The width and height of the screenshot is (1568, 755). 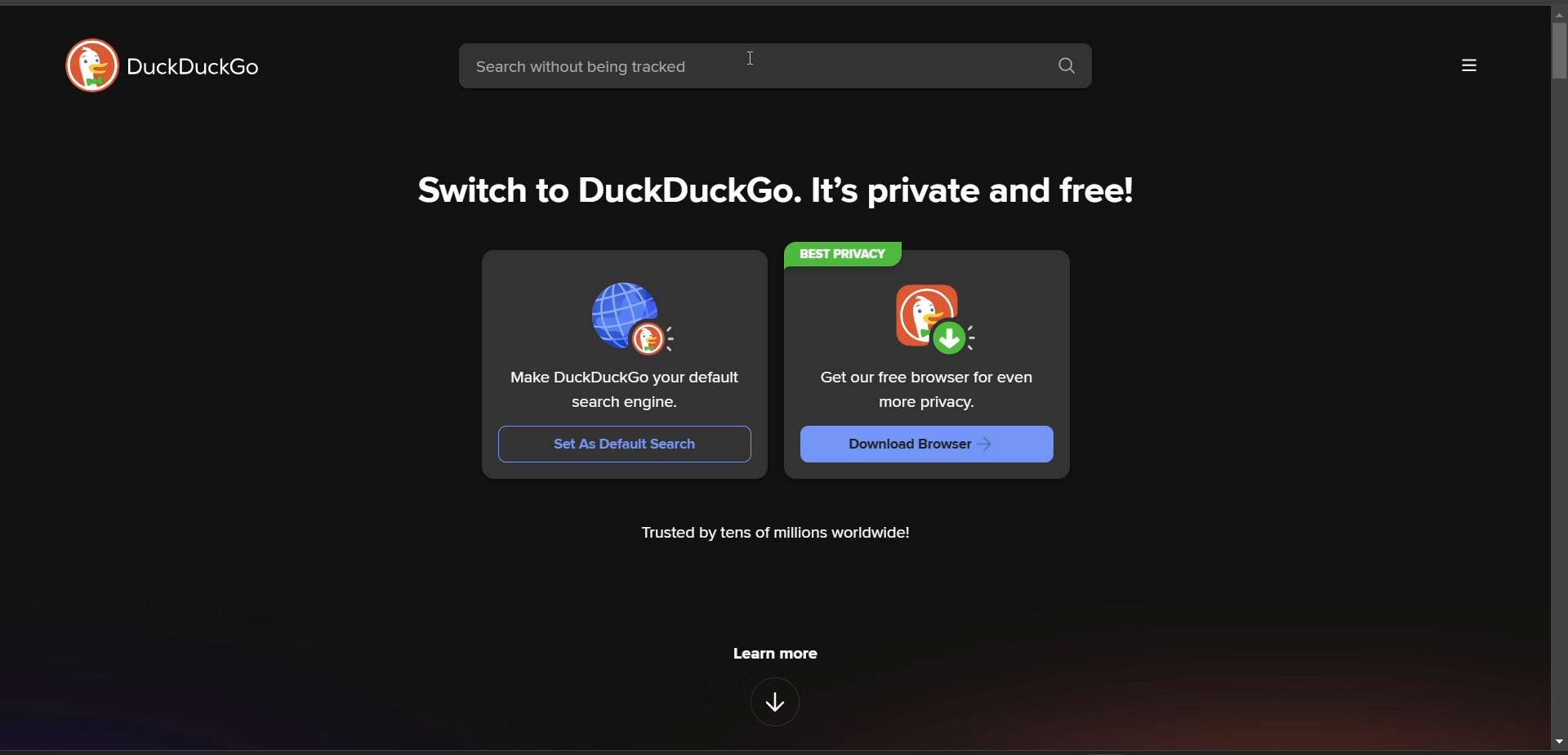 What do you see at coordinates (923, 445) in the screenshot?
I see `Download Browser` at bounding box center [923, 445].